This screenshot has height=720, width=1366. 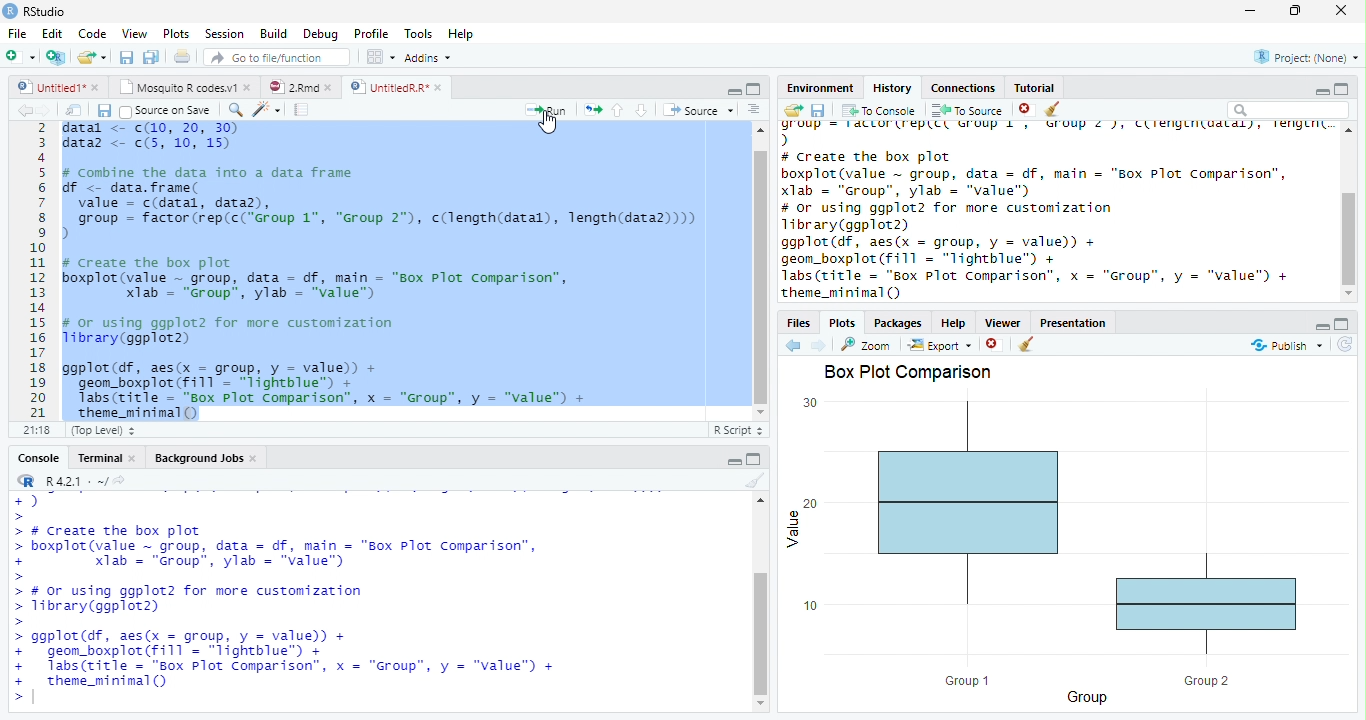 What do you see at coordinates (199, 457) in the screenshot?
I see `Background Jobs` at bounding box center [199, 457].